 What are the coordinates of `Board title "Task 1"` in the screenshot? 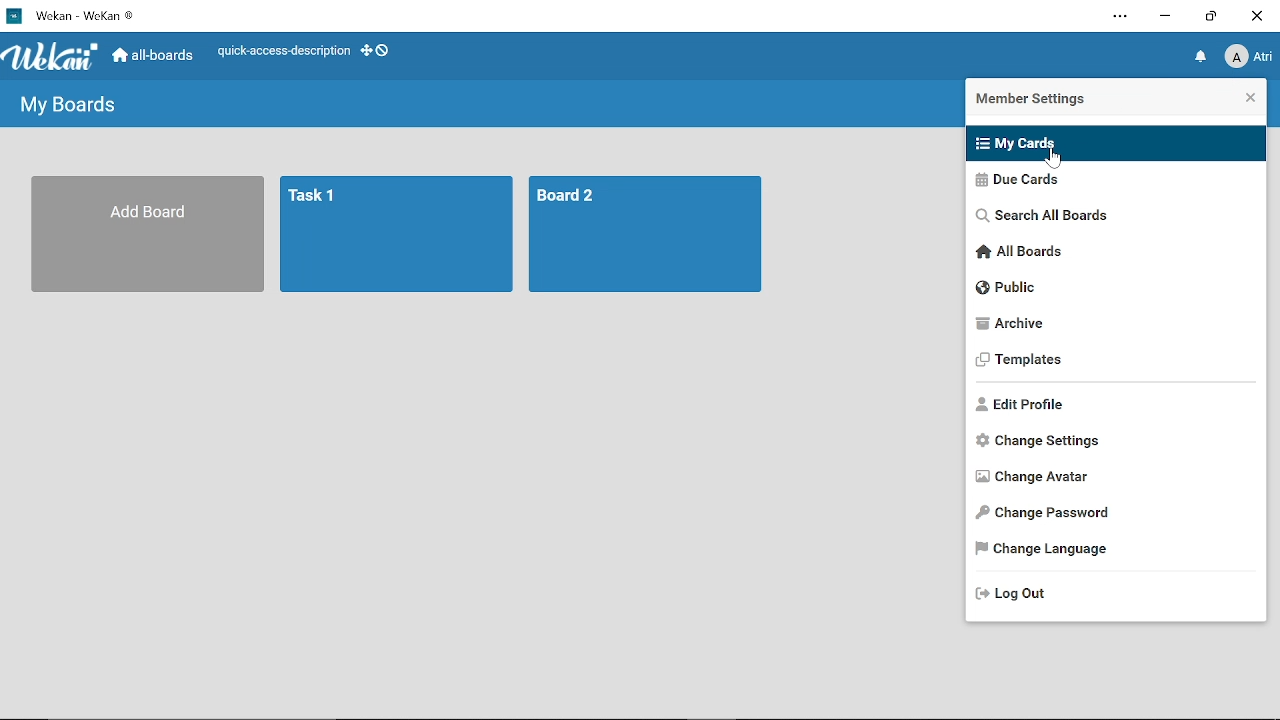 It's located at (398, 235).